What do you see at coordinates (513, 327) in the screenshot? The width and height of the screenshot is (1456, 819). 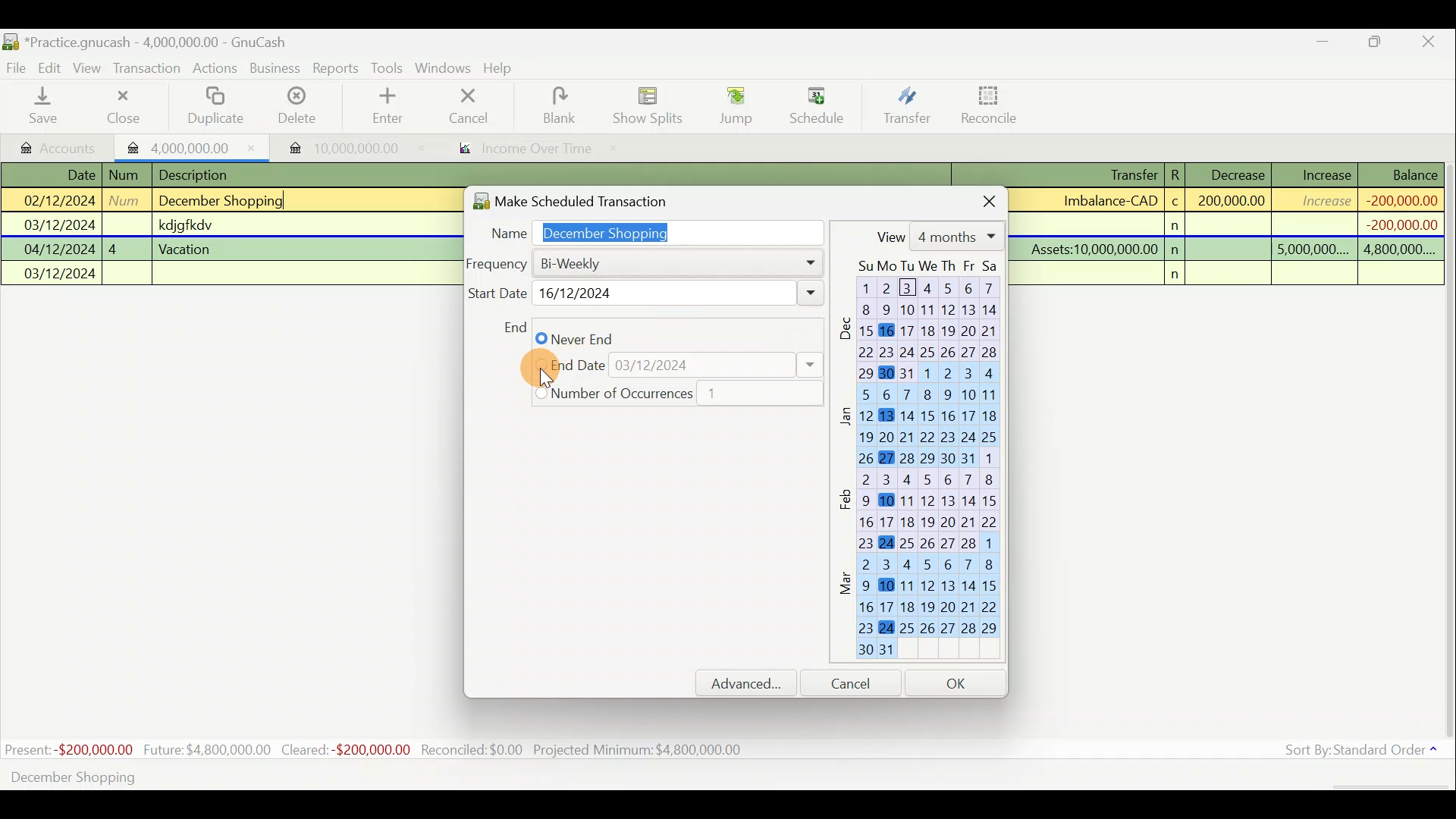 I see `End` at bounding box center [513, 327].